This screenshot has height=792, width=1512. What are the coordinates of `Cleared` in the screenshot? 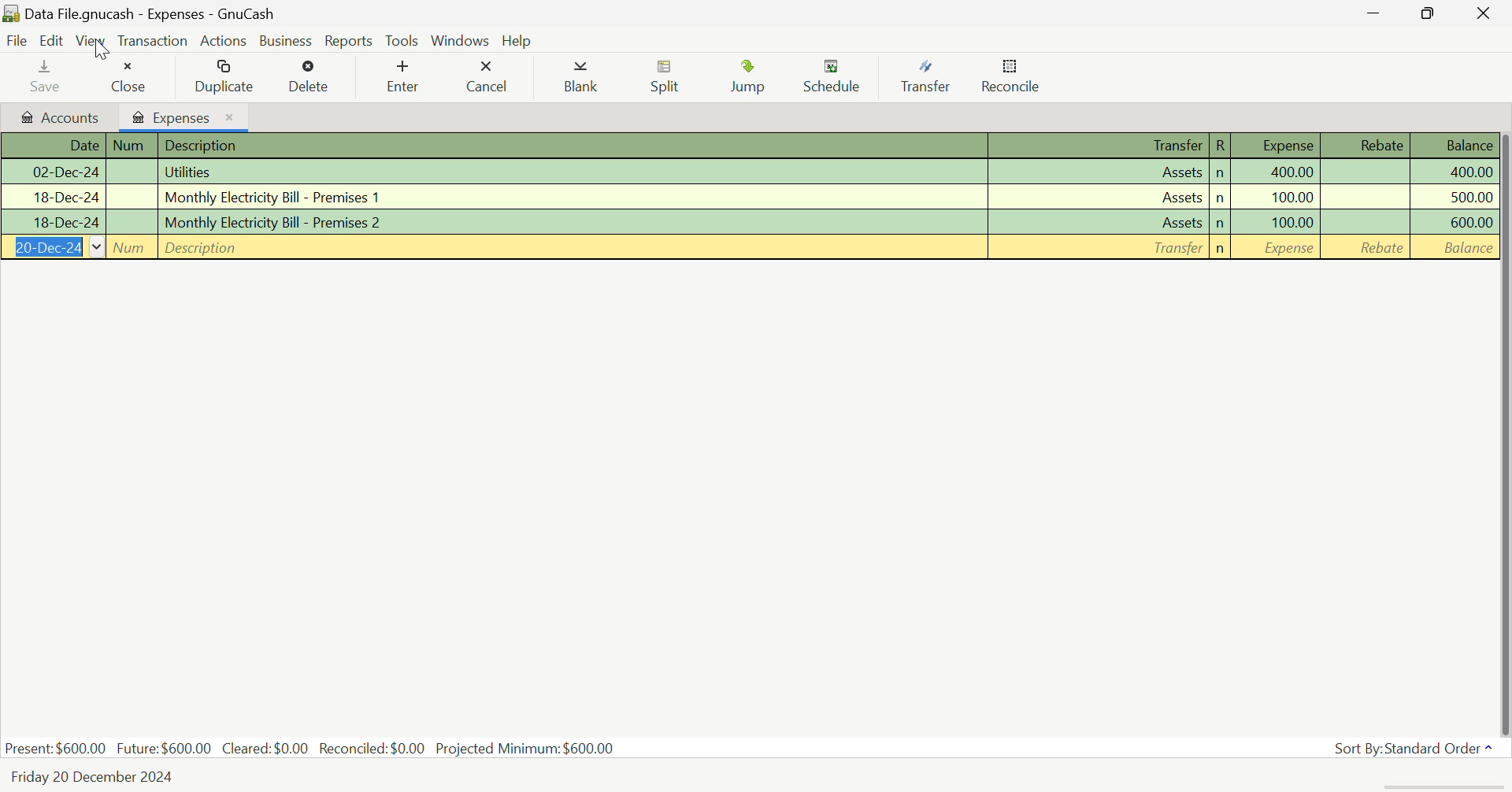 It's located at (265, 749).